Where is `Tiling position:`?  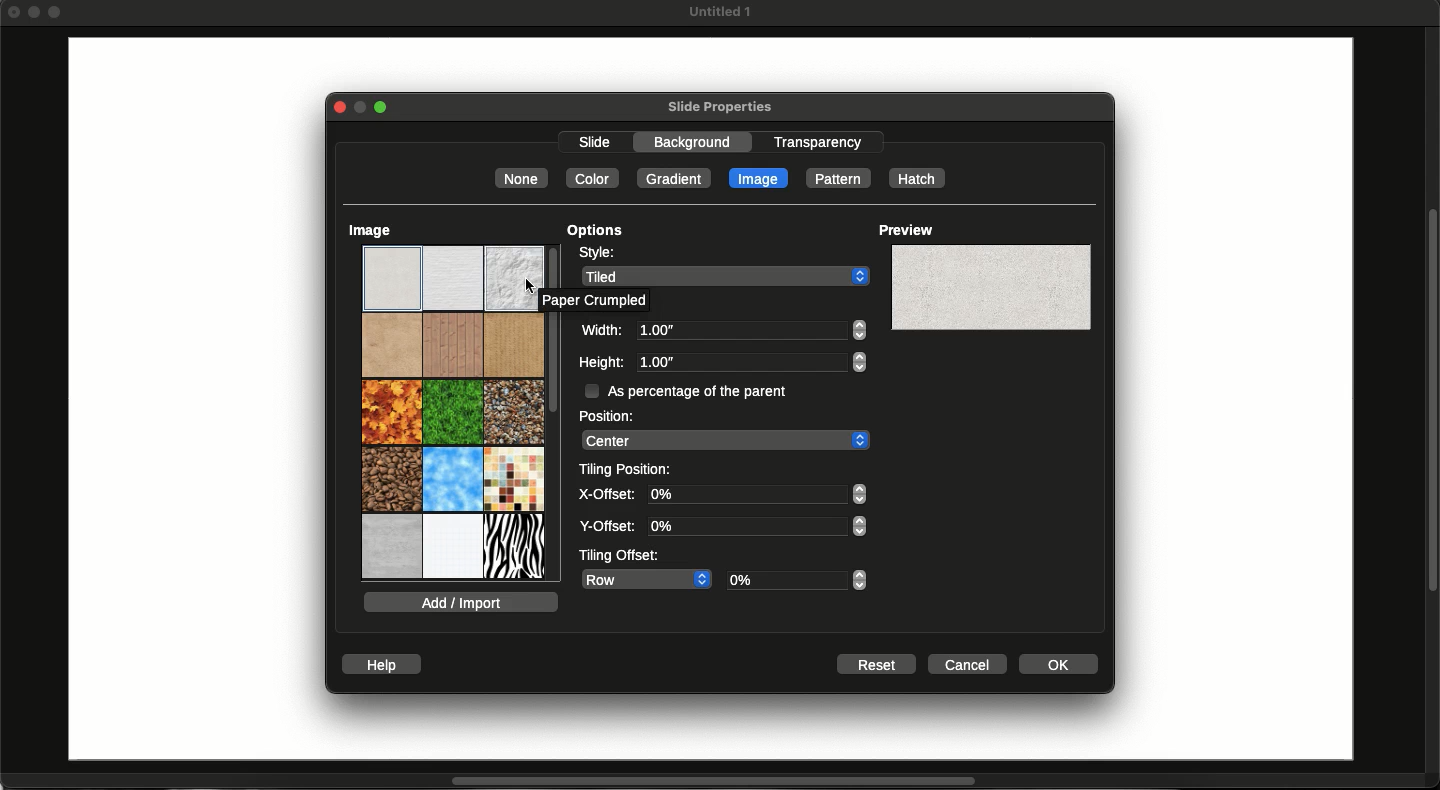 Tiling position: is located at coordinates (629, 468).